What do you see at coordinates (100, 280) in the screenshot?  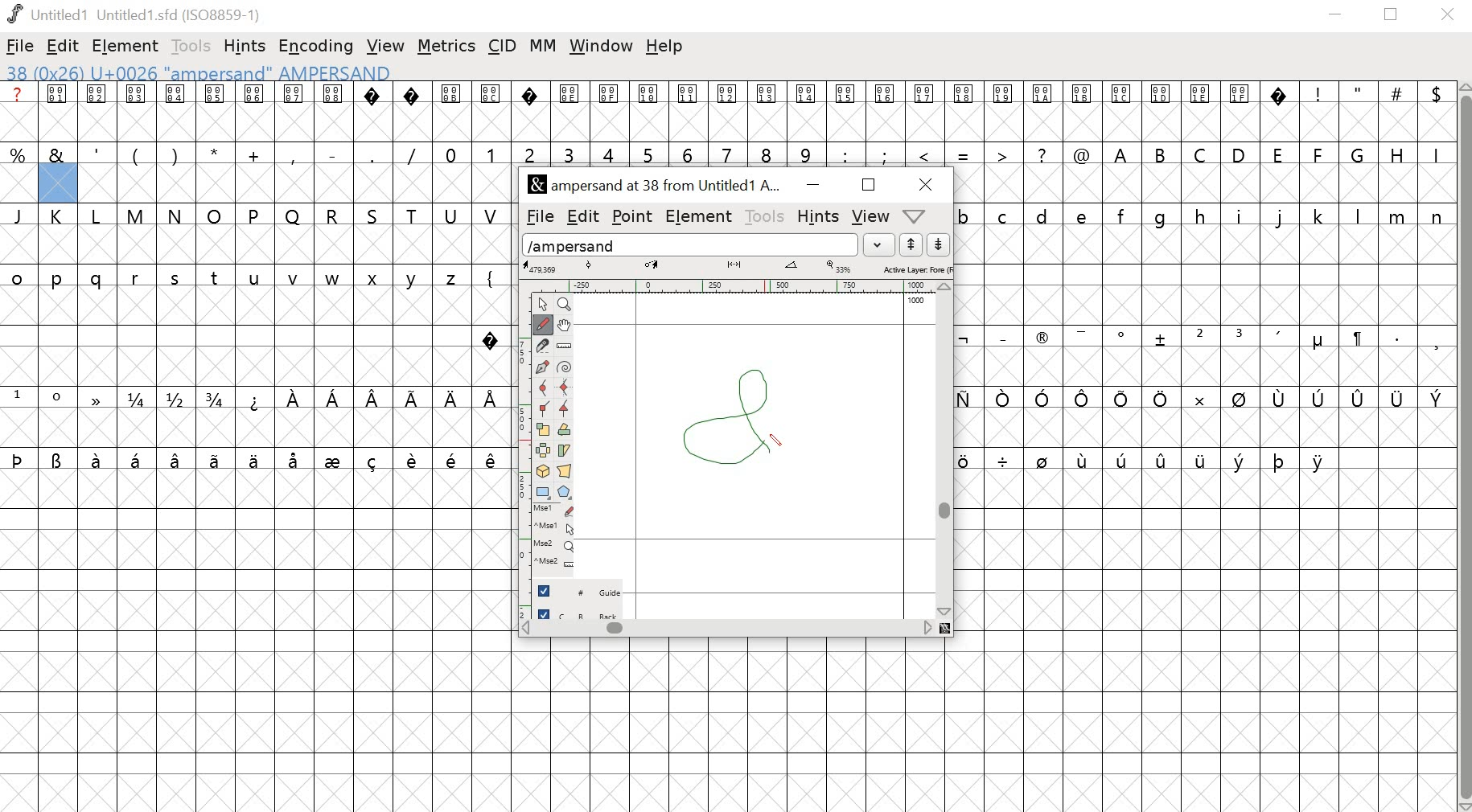 I see `q` at bounding box center [100, 280].